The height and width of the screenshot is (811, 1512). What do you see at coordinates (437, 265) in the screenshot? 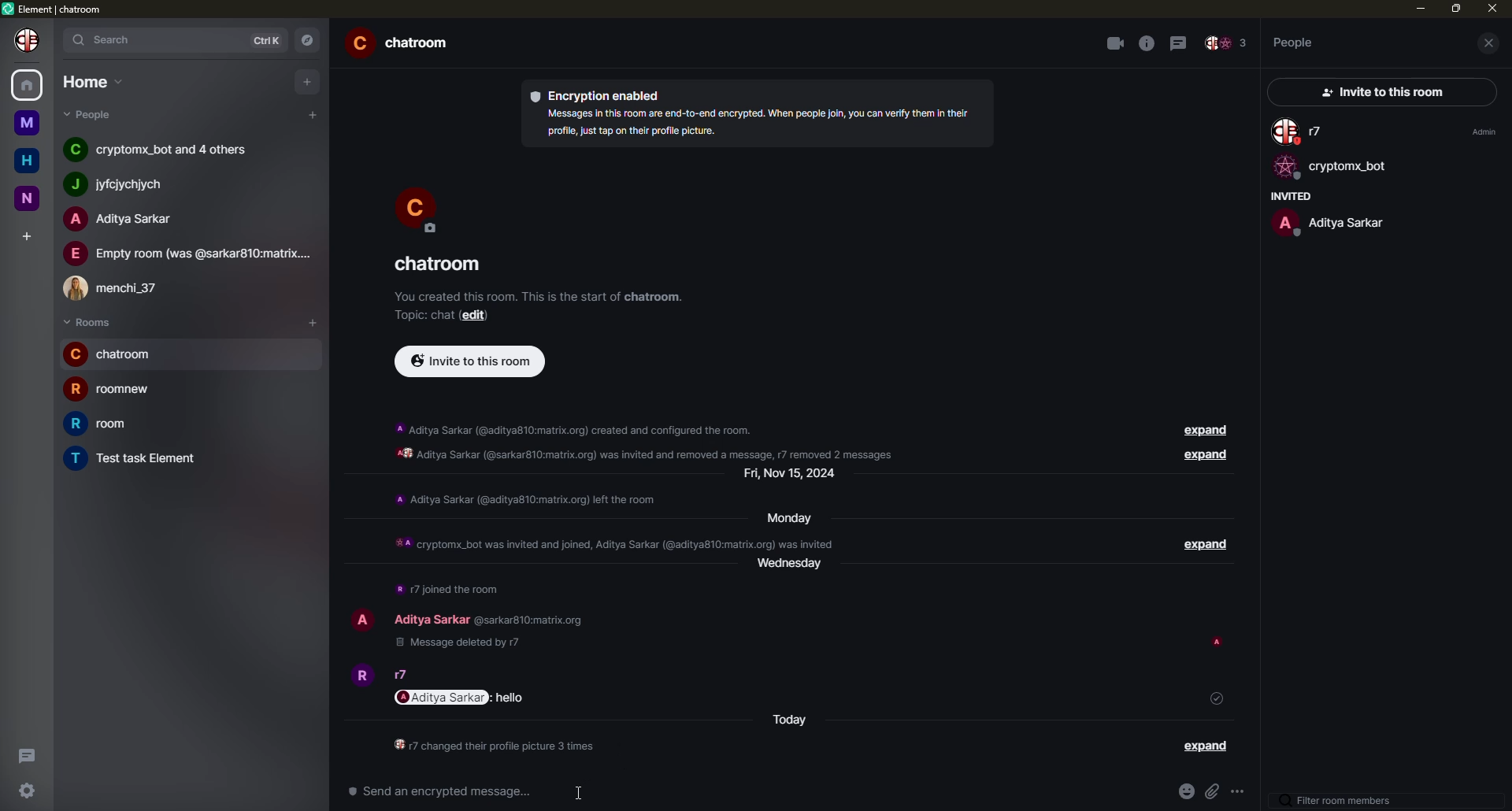
I see `room` at bounding box center [437, 265].